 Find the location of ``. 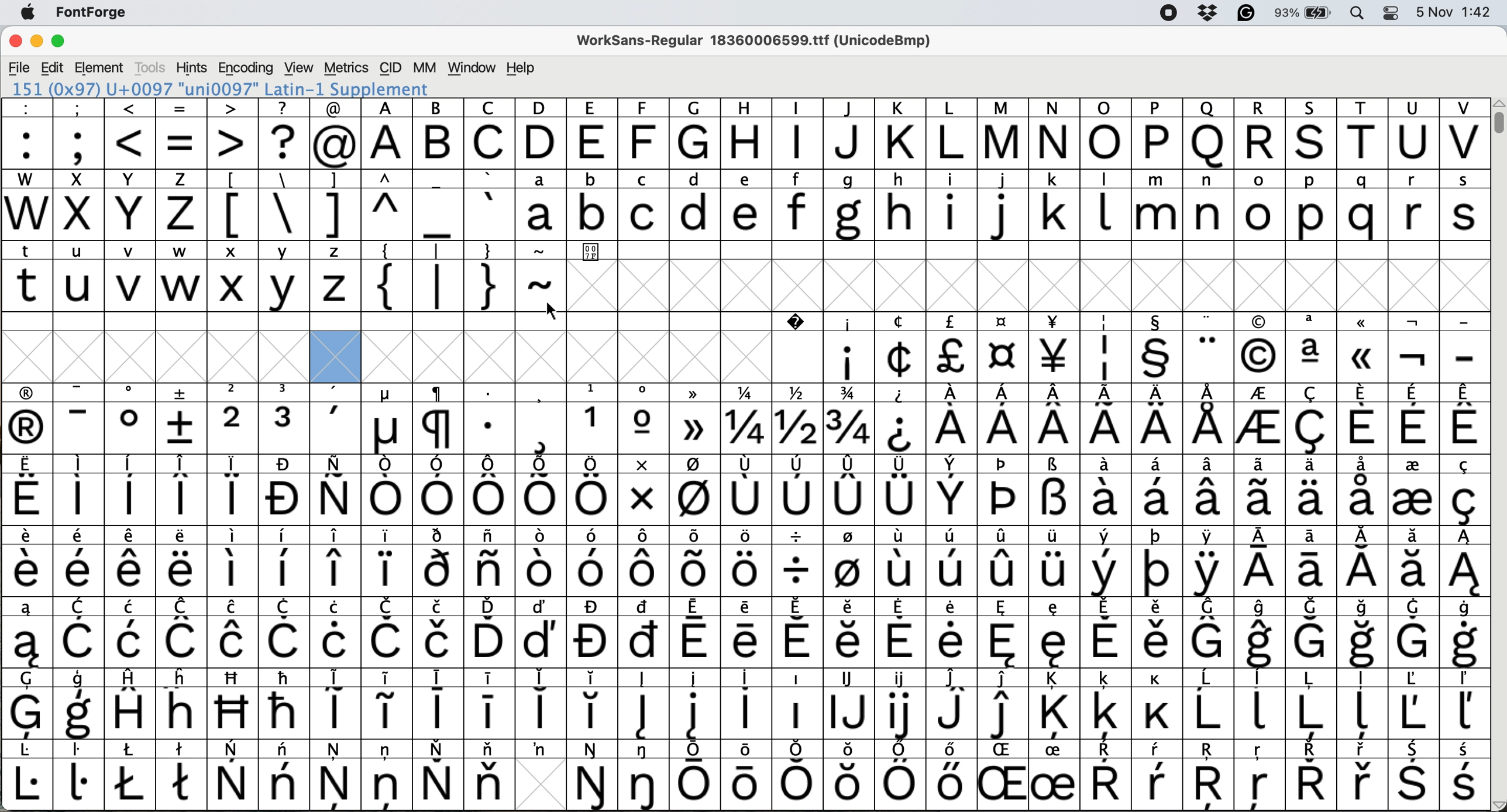

 is located at coordinates (1211, 776).